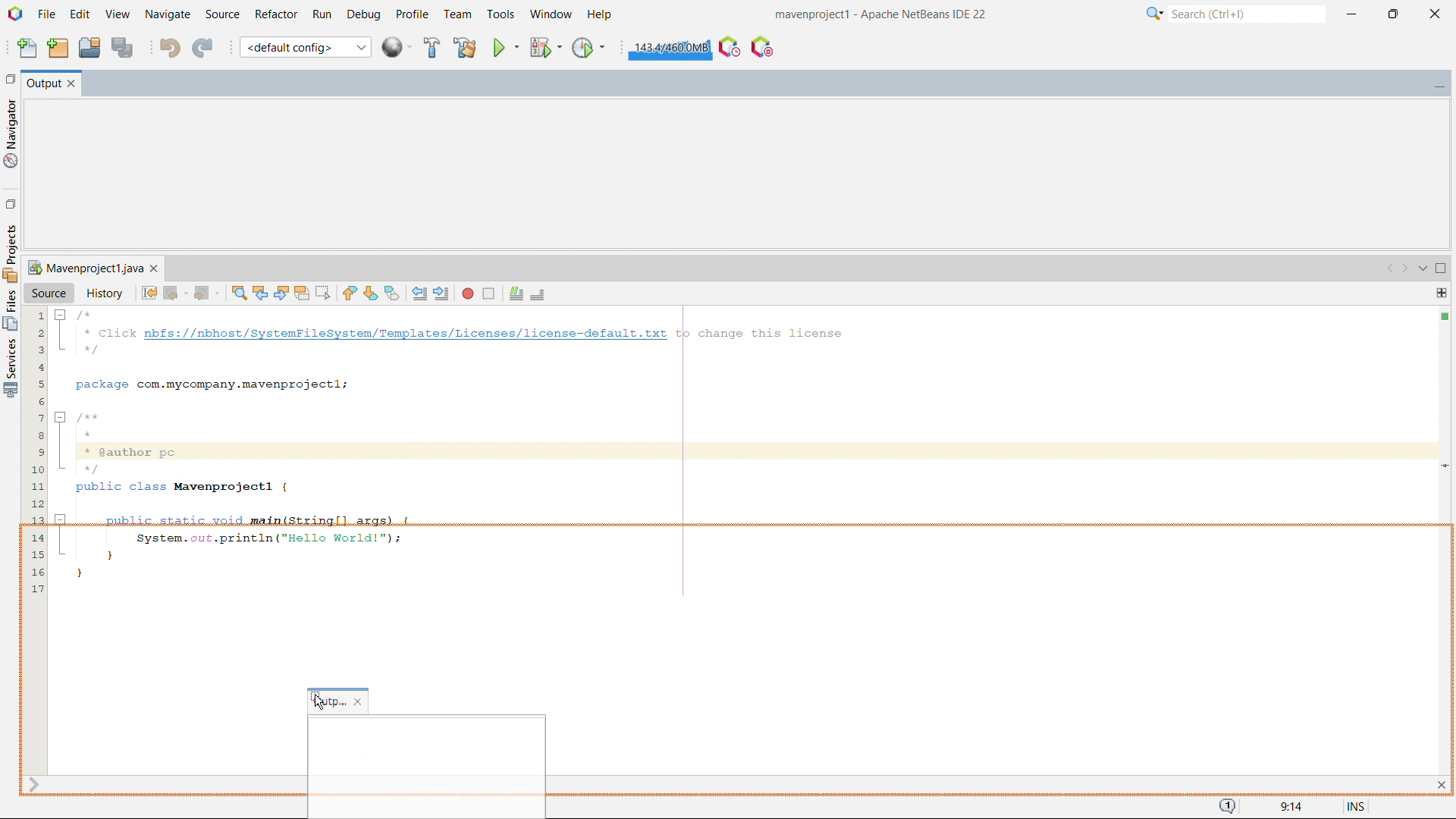 Image resolution: width=1456 pixels, height=819 pixels. Describe the element at coordinates (763, 47) in the screenshot. I see `pause I/O checks` at that location.